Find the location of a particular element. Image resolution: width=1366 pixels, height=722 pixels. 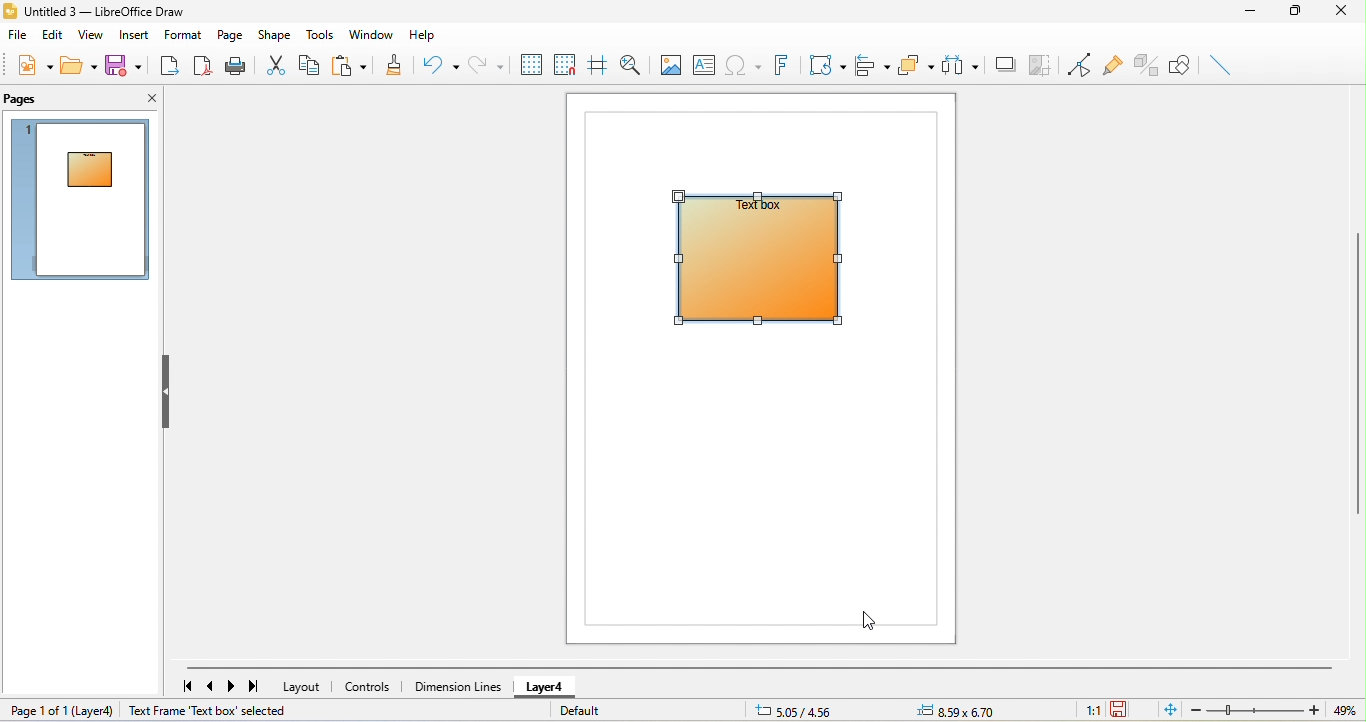

copy is located at coordinates (310, 65).